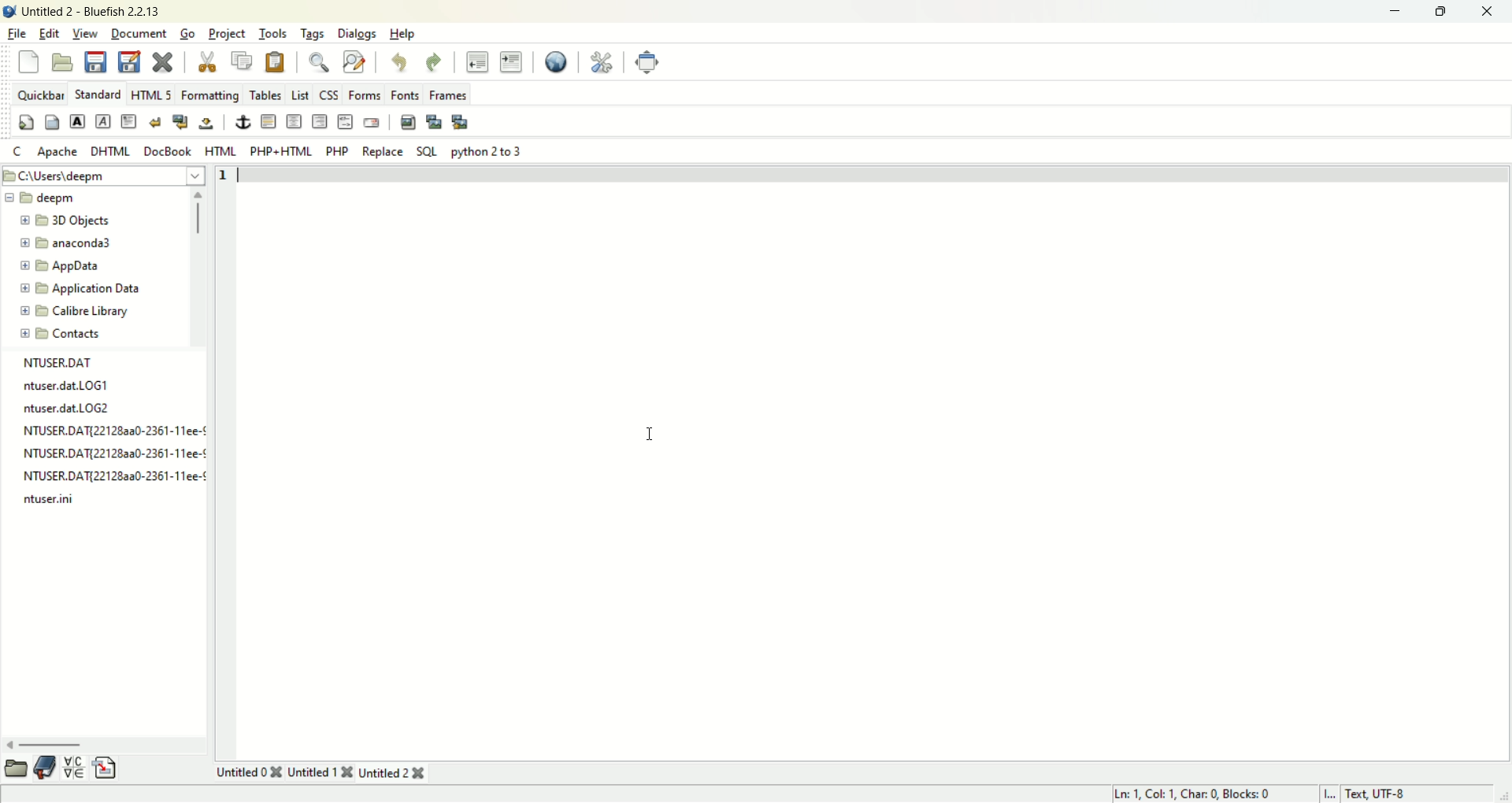  What do you see at coordinates (404, 35) in the screenshot?
I see `help` at bounding box center [404, 35].